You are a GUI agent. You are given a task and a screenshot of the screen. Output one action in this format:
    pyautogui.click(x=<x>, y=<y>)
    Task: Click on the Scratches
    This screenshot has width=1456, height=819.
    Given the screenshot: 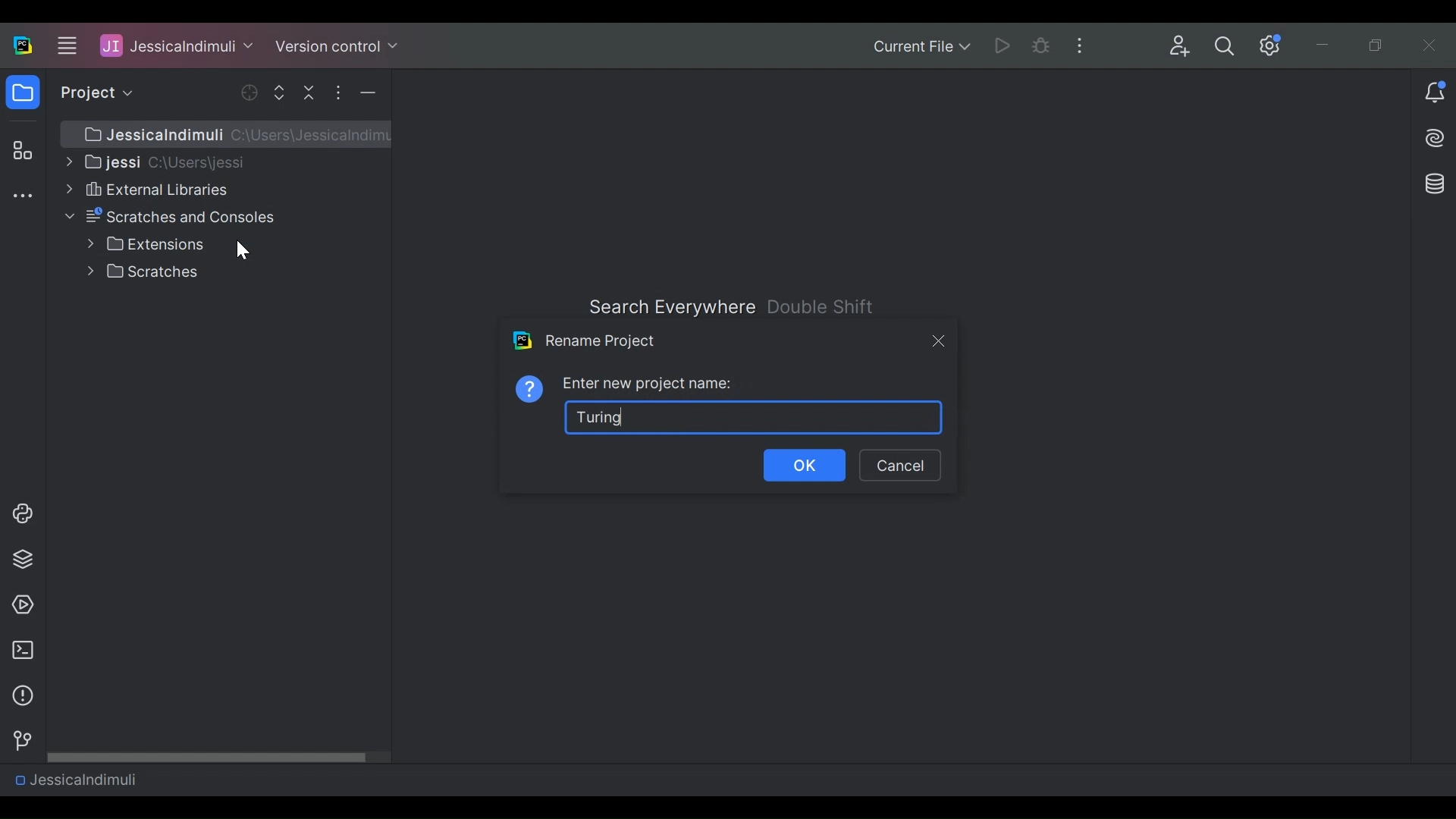 What is the action you would take?
    pyautogui.click(x=146, y=271)
    